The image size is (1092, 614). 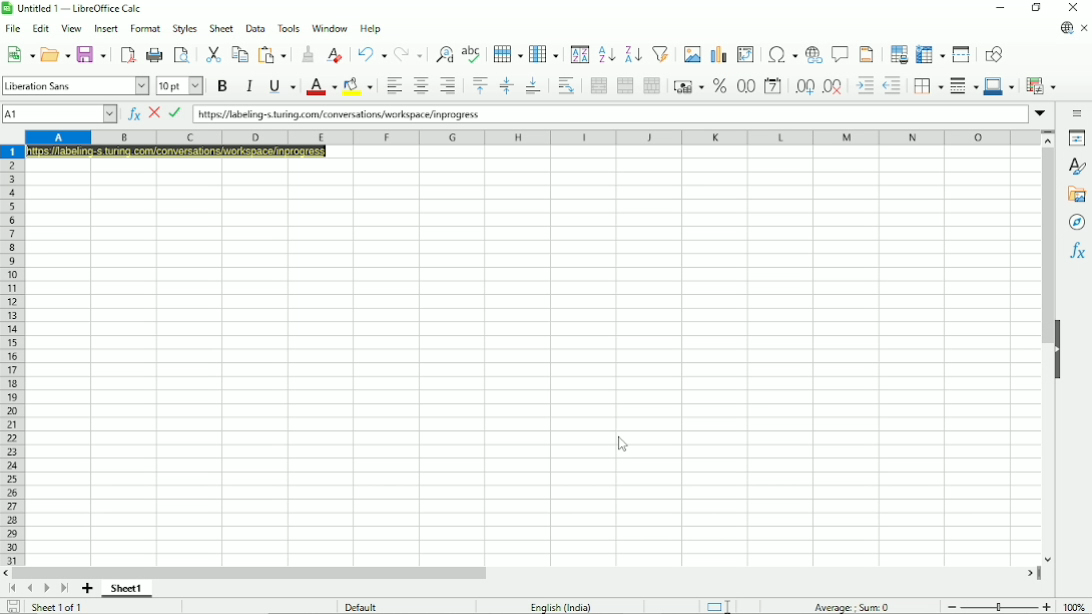 What do you see at coordinates (961, 54) in the screenshot?
I see `Split window` at bounding box center [961, 54].